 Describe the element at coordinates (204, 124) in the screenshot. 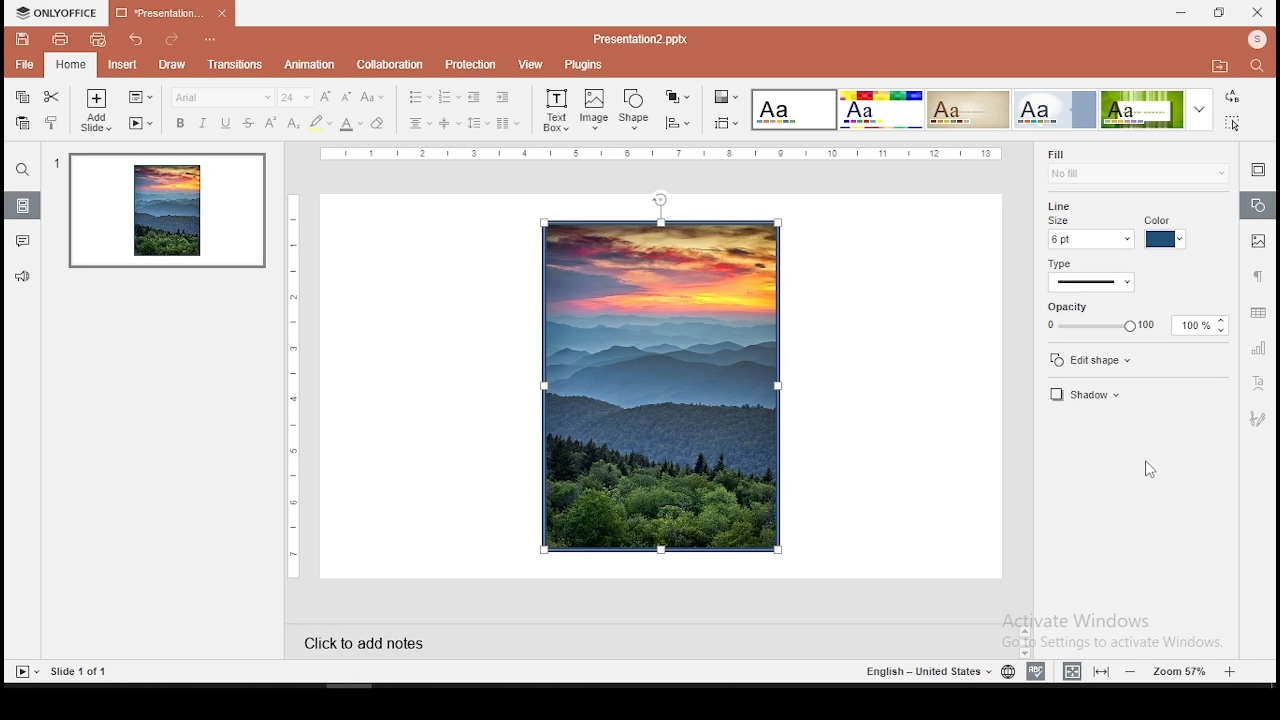

I see `italics` at that location.